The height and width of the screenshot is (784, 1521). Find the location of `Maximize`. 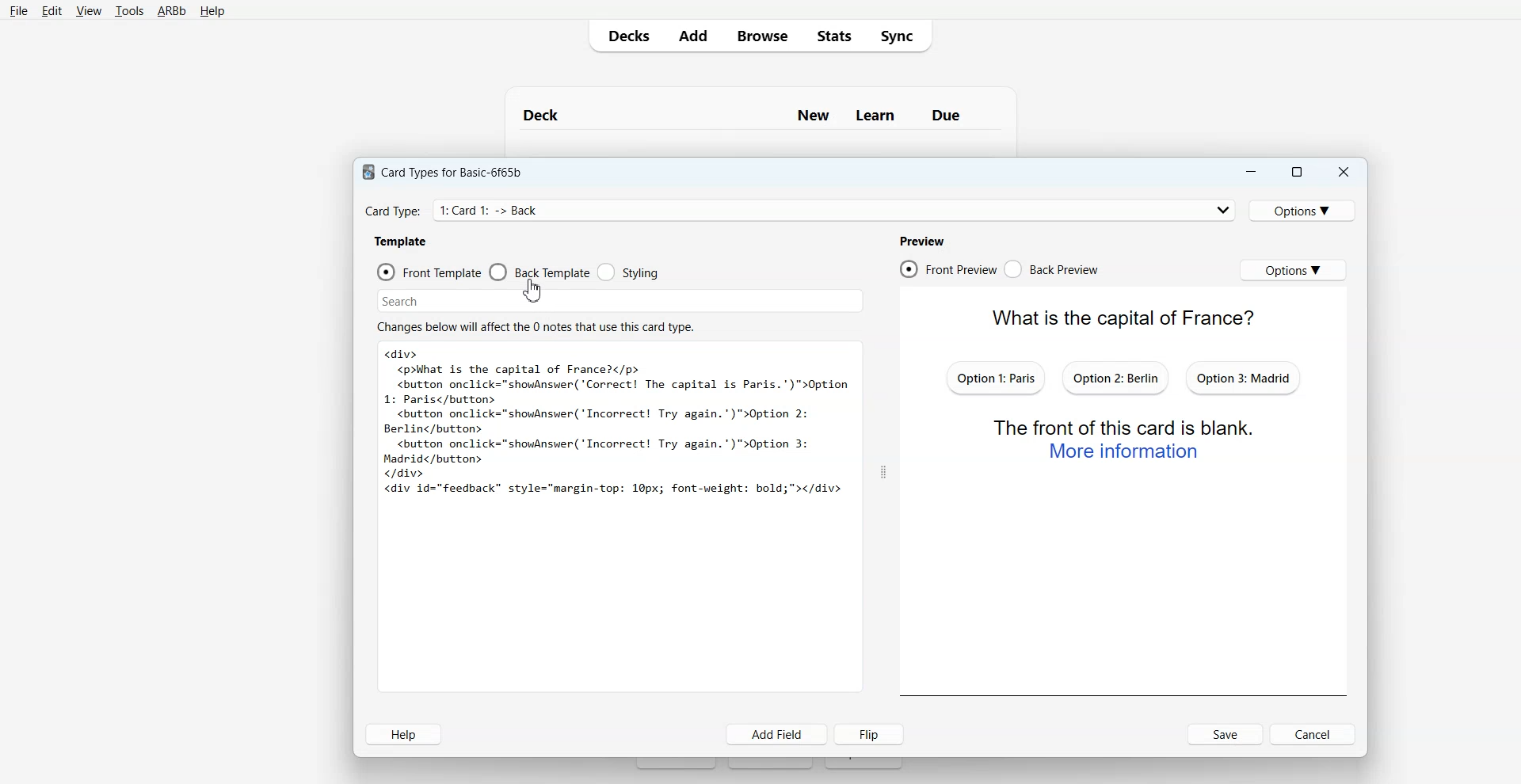

Maximize is located at coordinates (1298, 171).